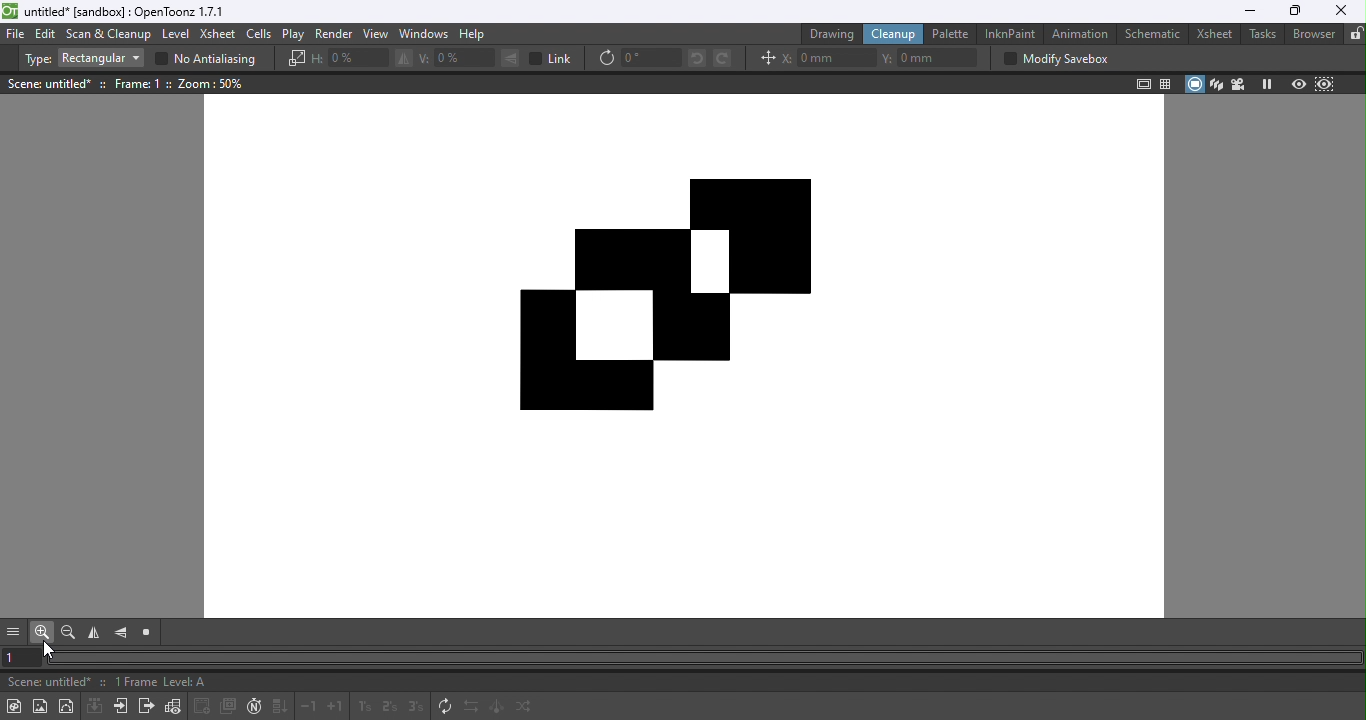 The image size is (1366, 720). What do you see at coordinates (416, 706) in the screenshot?
I see `Reframe in 3s` at bounding box center [416, 706].